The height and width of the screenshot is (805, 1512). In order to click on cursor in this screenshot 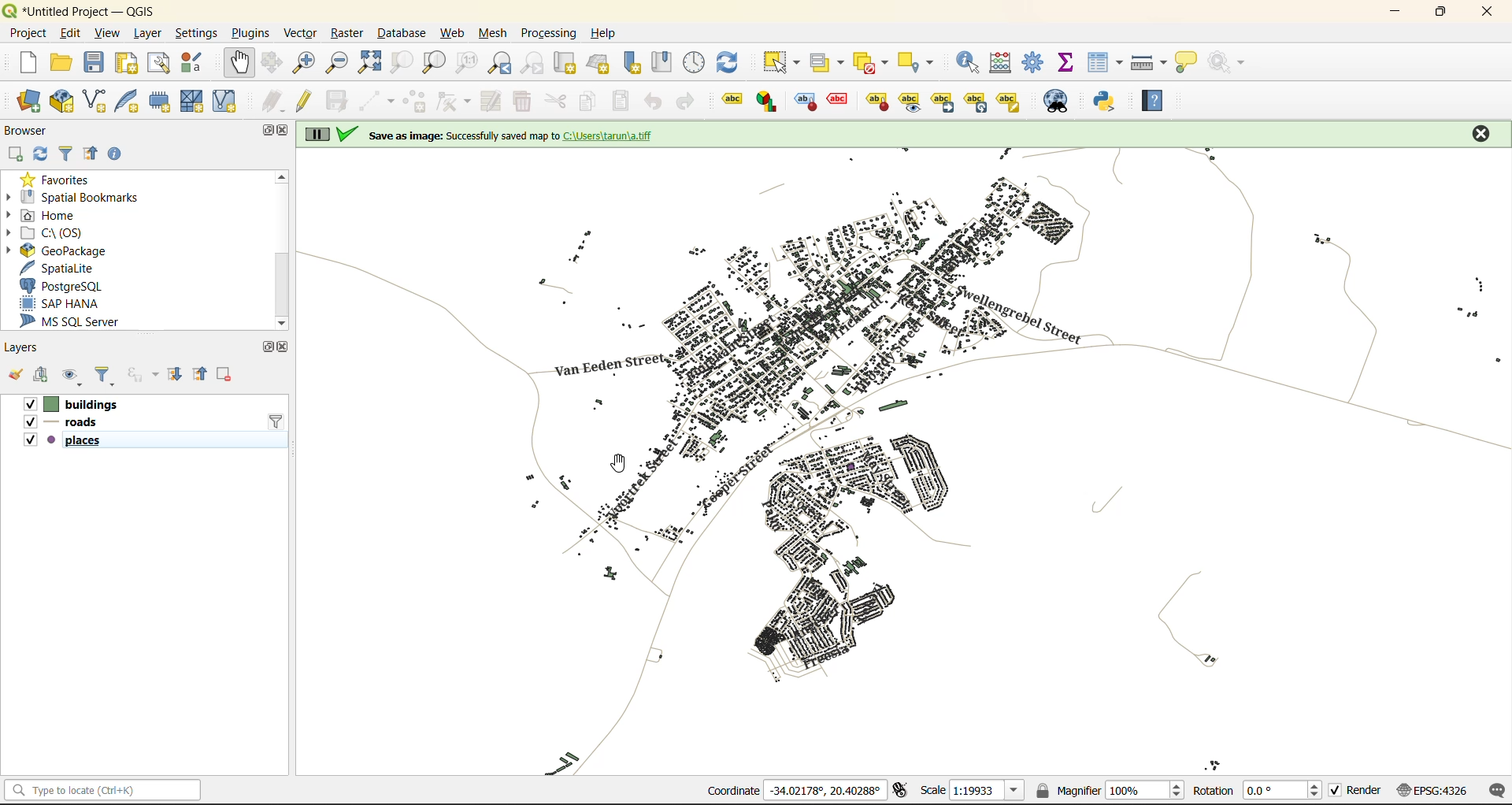, I will do `click(619, 462)`.